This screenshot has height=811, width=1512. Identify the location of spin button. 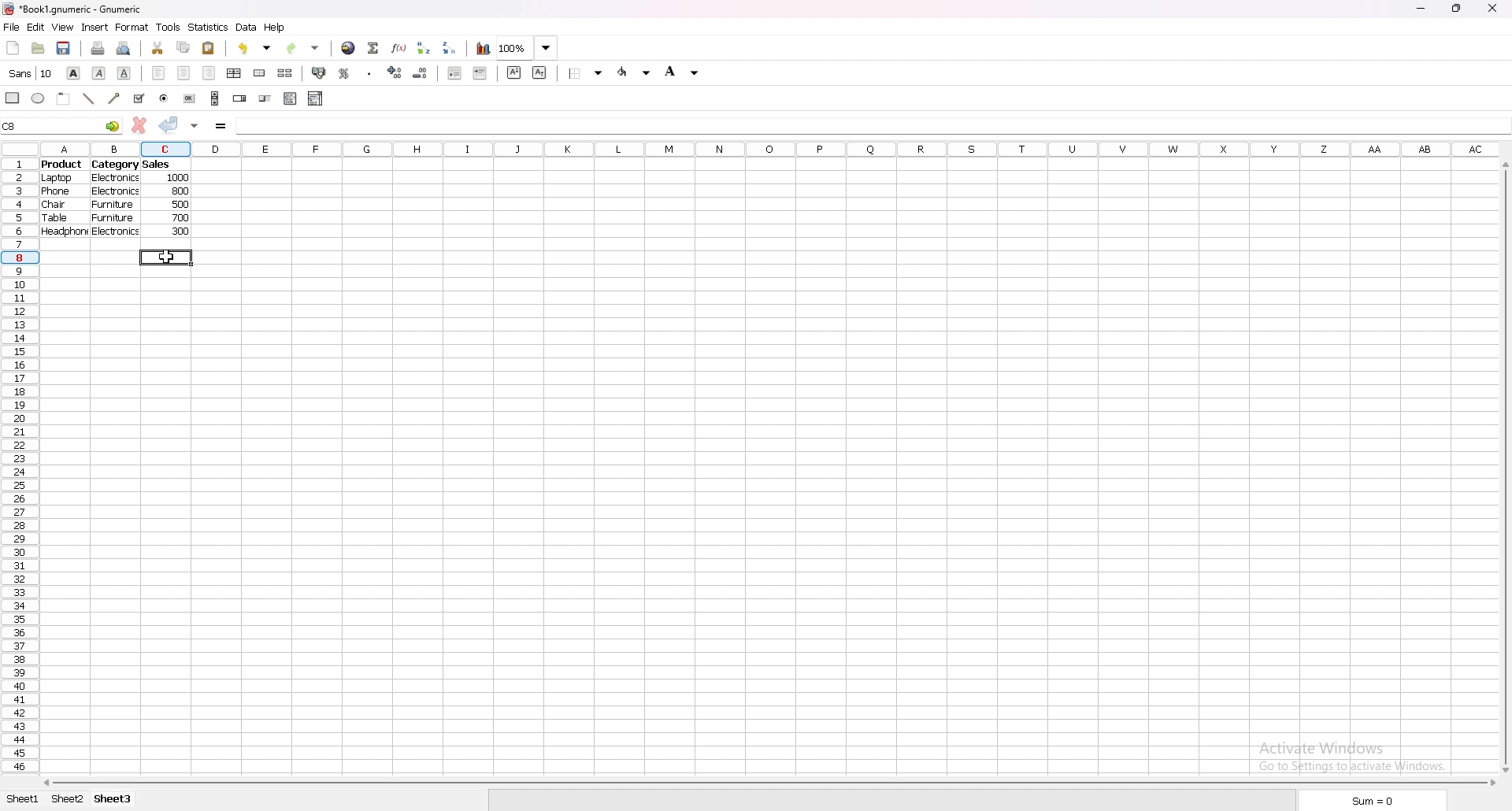
(239, 99).